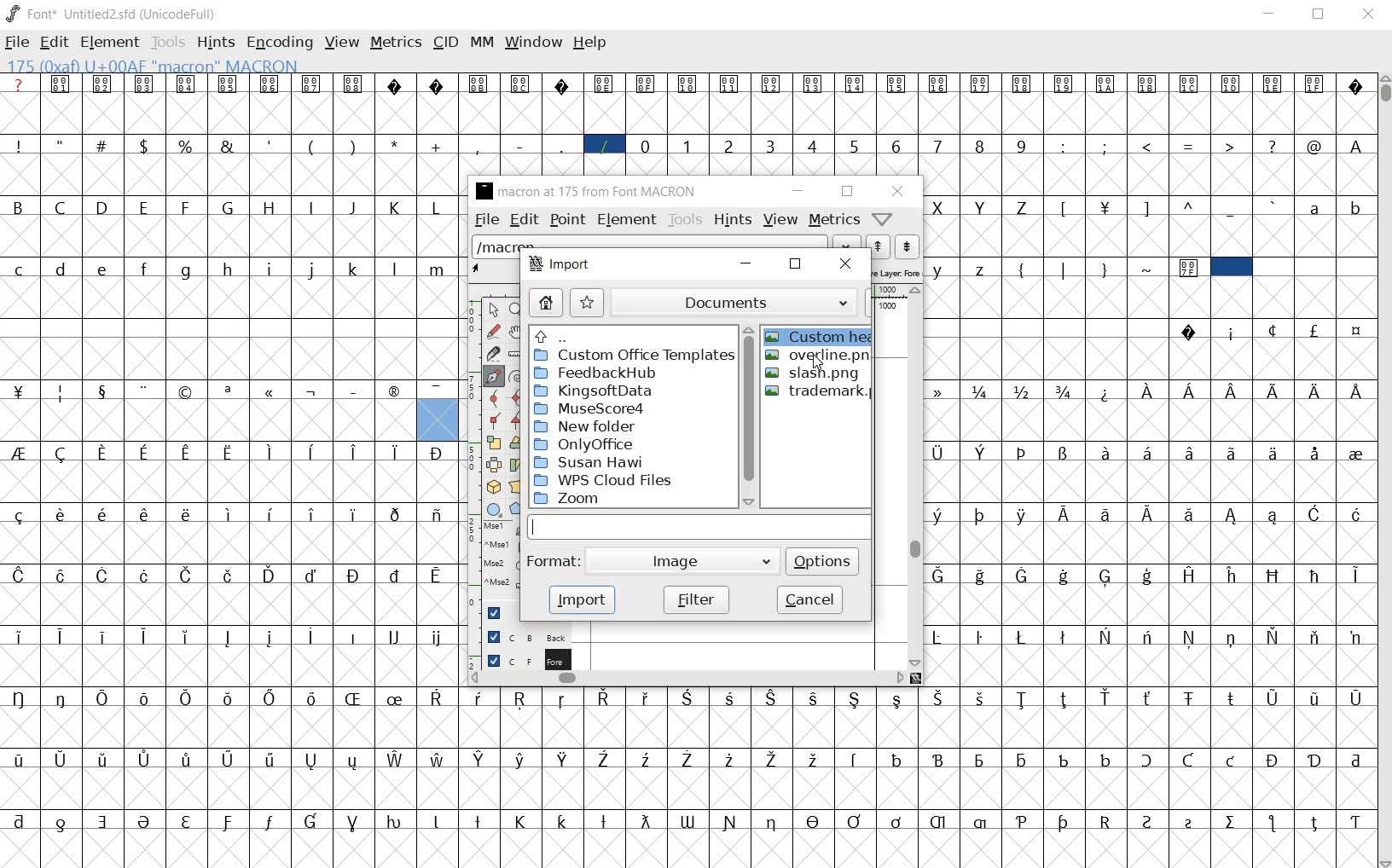  Describe the element at coordinates (20, 267) in the screenshot. I see `c` at that location.